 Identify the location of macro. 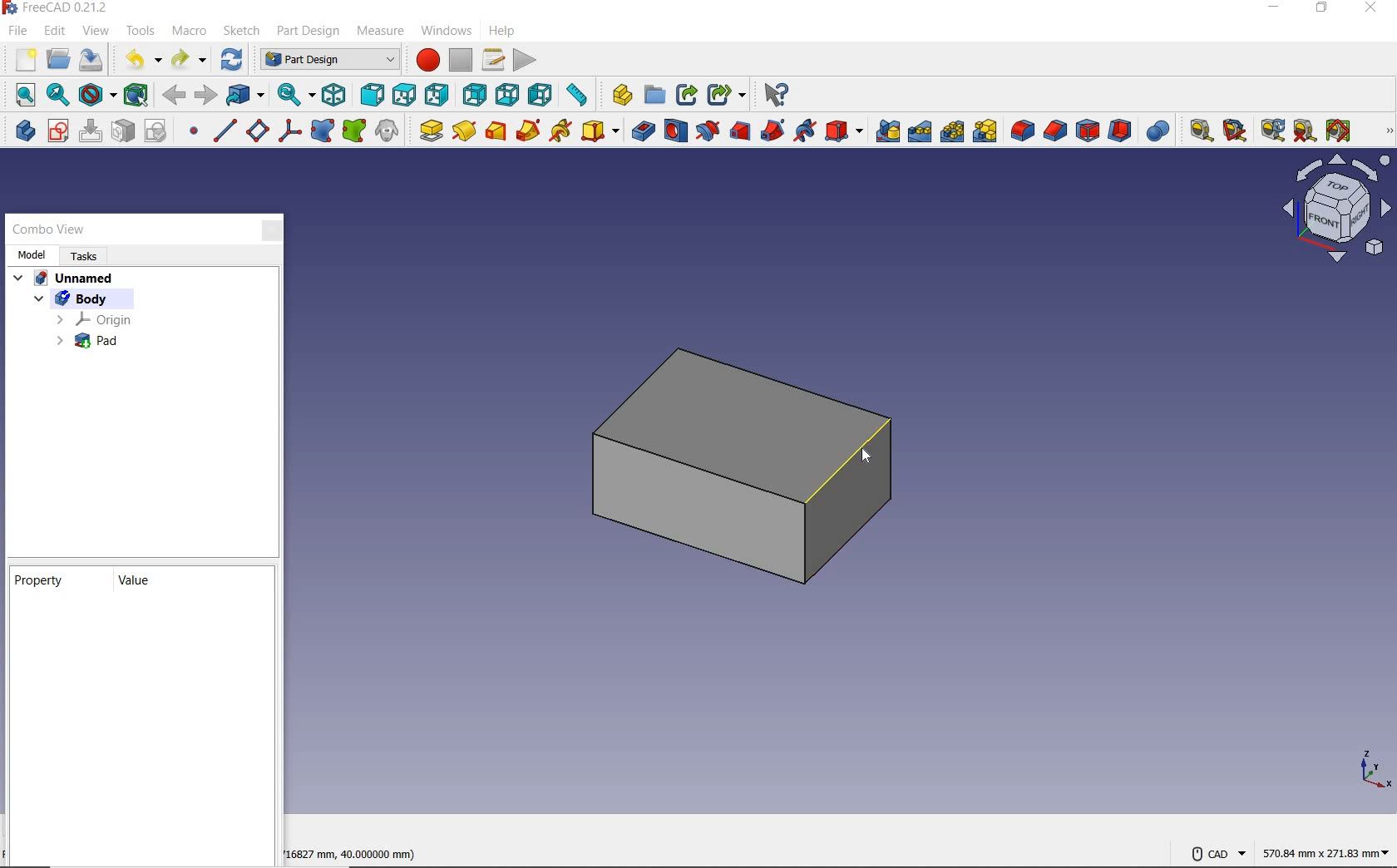
(192, 32).